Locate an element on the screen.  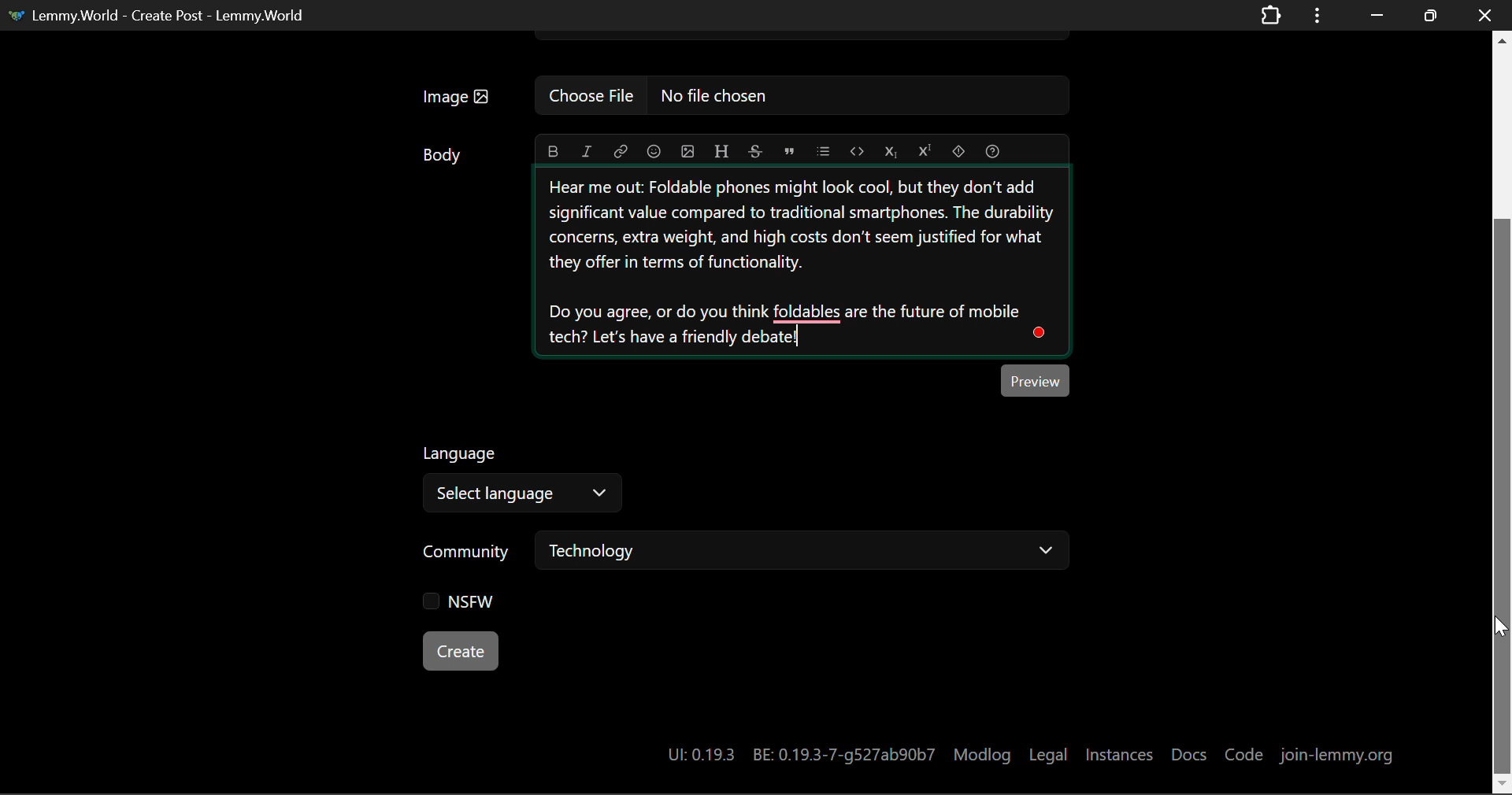
Create Button is located at coordinates (458, 651).